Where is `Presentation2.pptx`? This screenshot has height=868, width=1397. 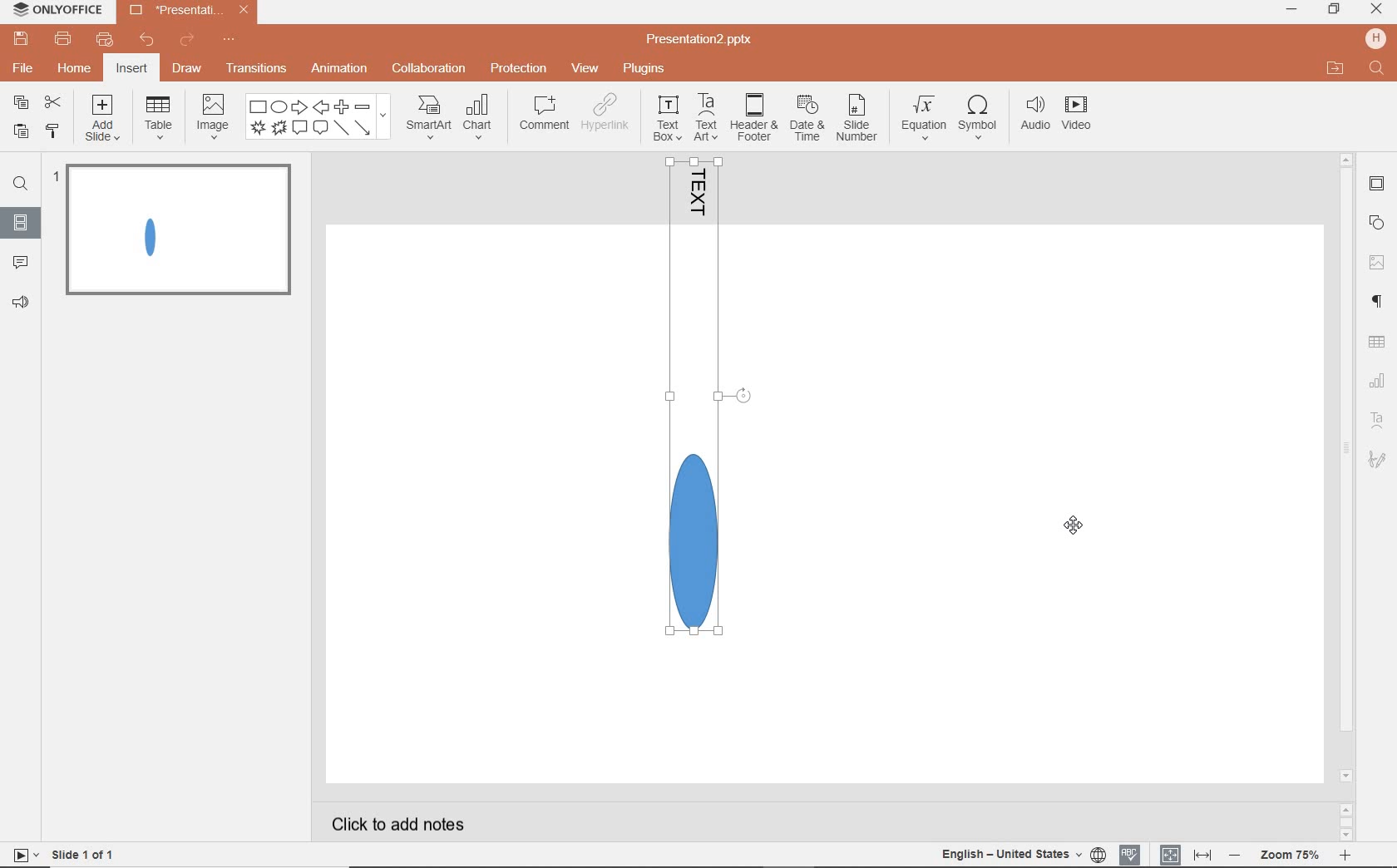
Presentation2.pptx is located at coordinates (700, 40).